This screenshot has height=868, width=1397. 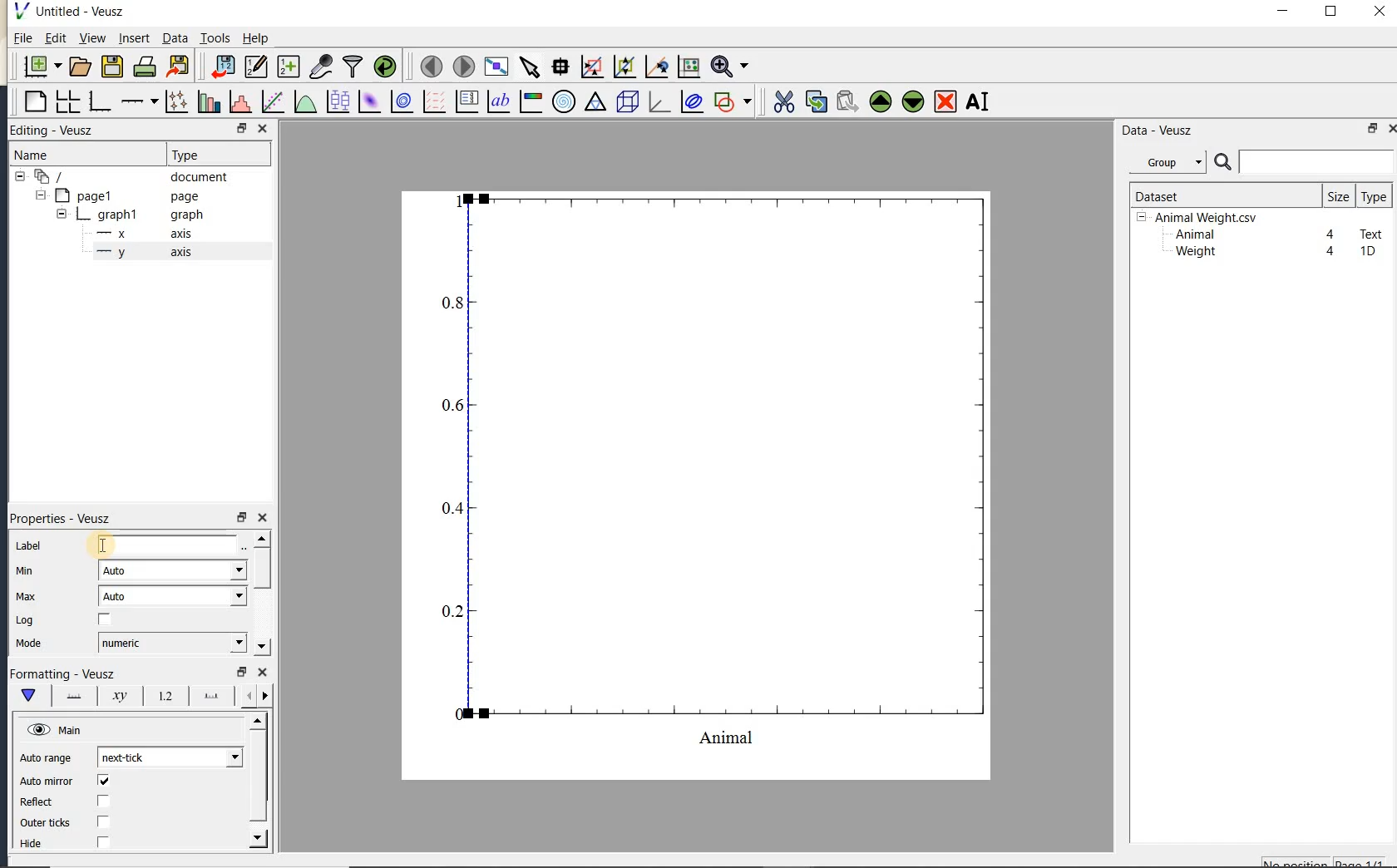 I want to click on Max, so click(x=26, y=596).